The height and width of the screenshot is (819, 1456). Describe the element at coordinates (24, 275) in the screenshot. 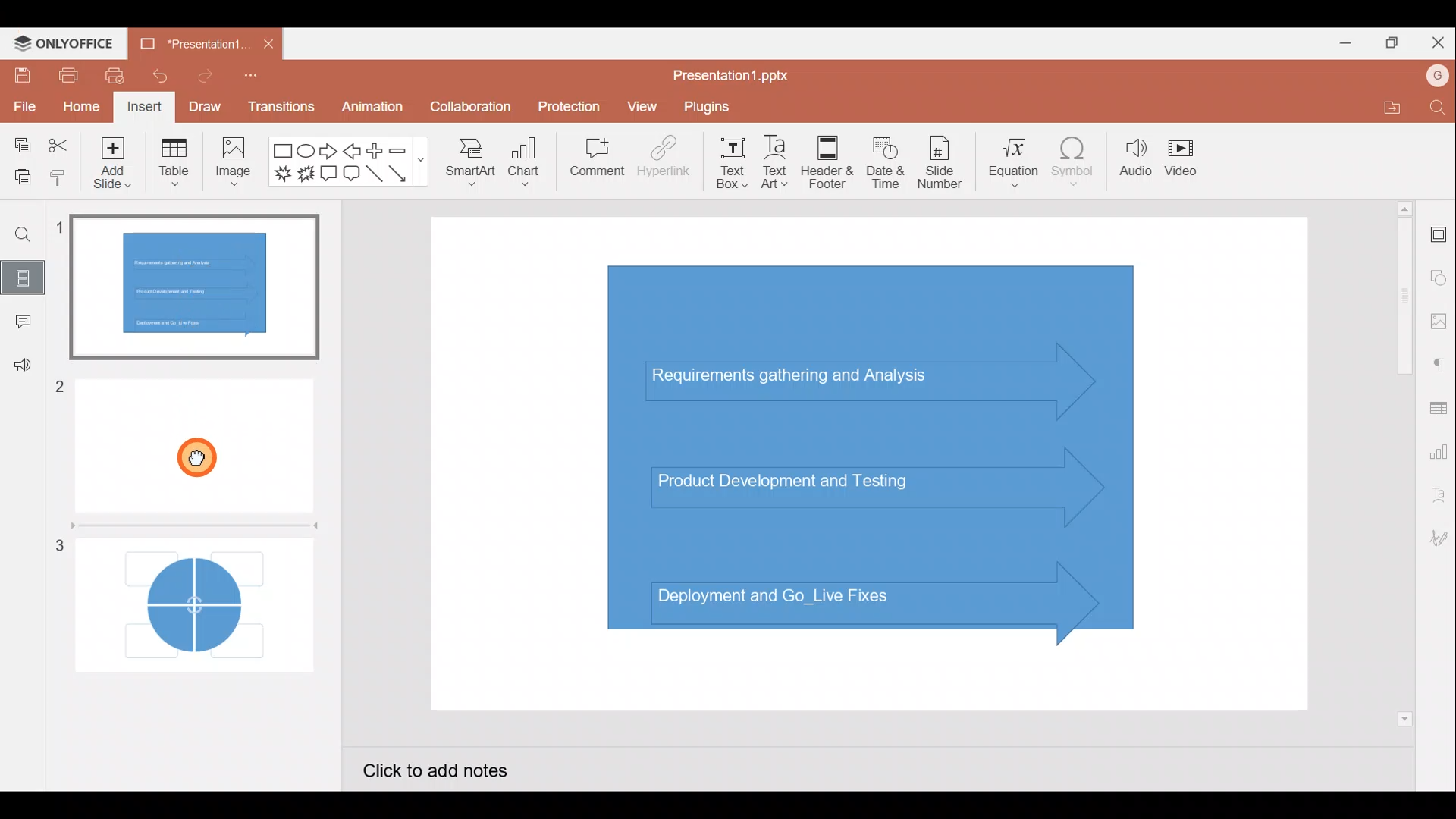

I see `Slides` at that location.